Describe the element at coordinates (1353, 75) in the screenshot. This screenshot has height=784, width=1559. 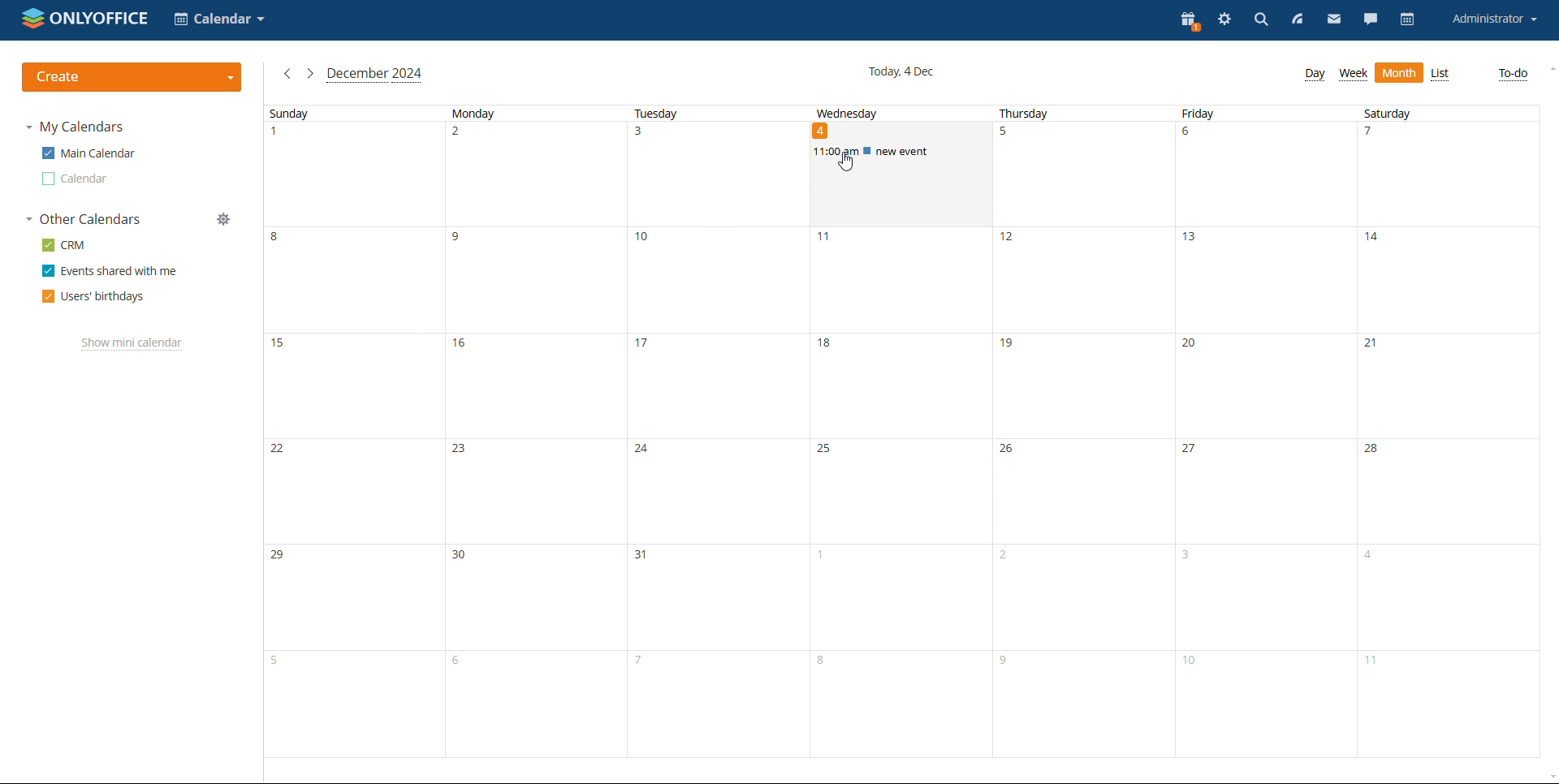
I see `week view` at that location.